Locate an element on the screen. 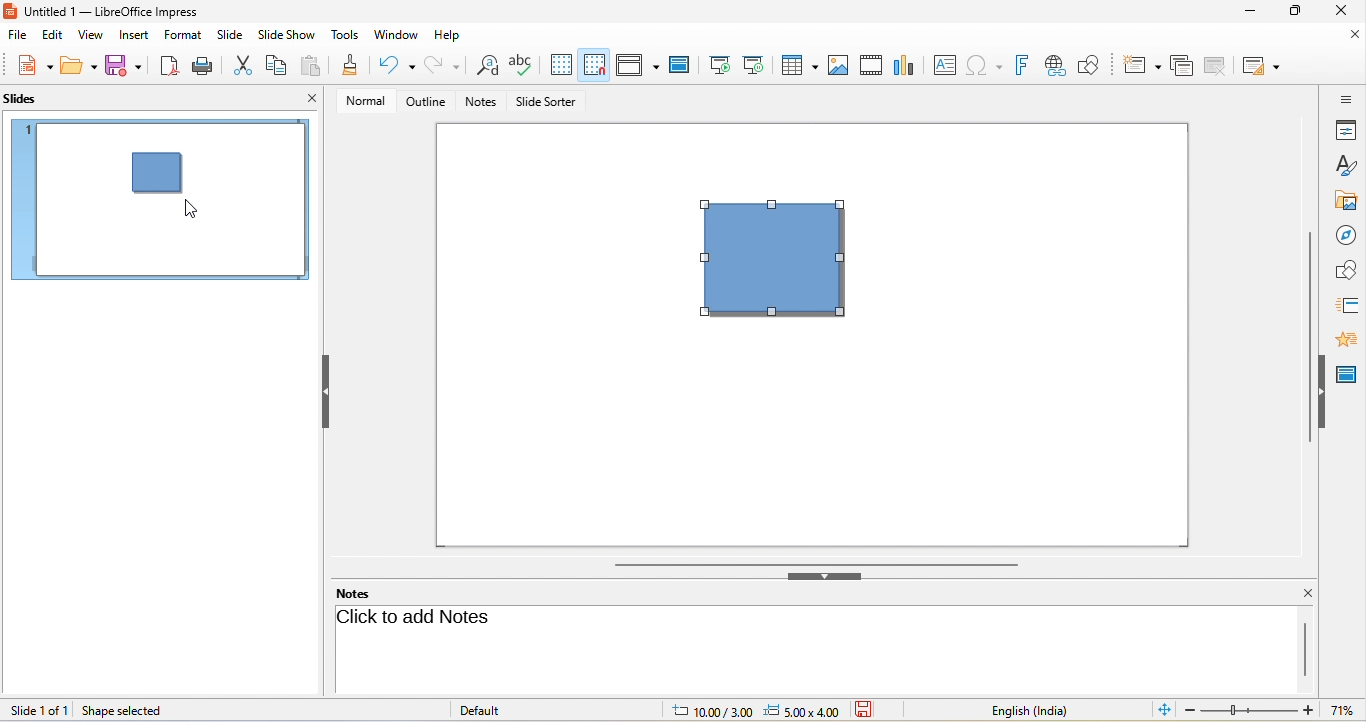  slide 1 of 1 is located at coordinates (38, 710).